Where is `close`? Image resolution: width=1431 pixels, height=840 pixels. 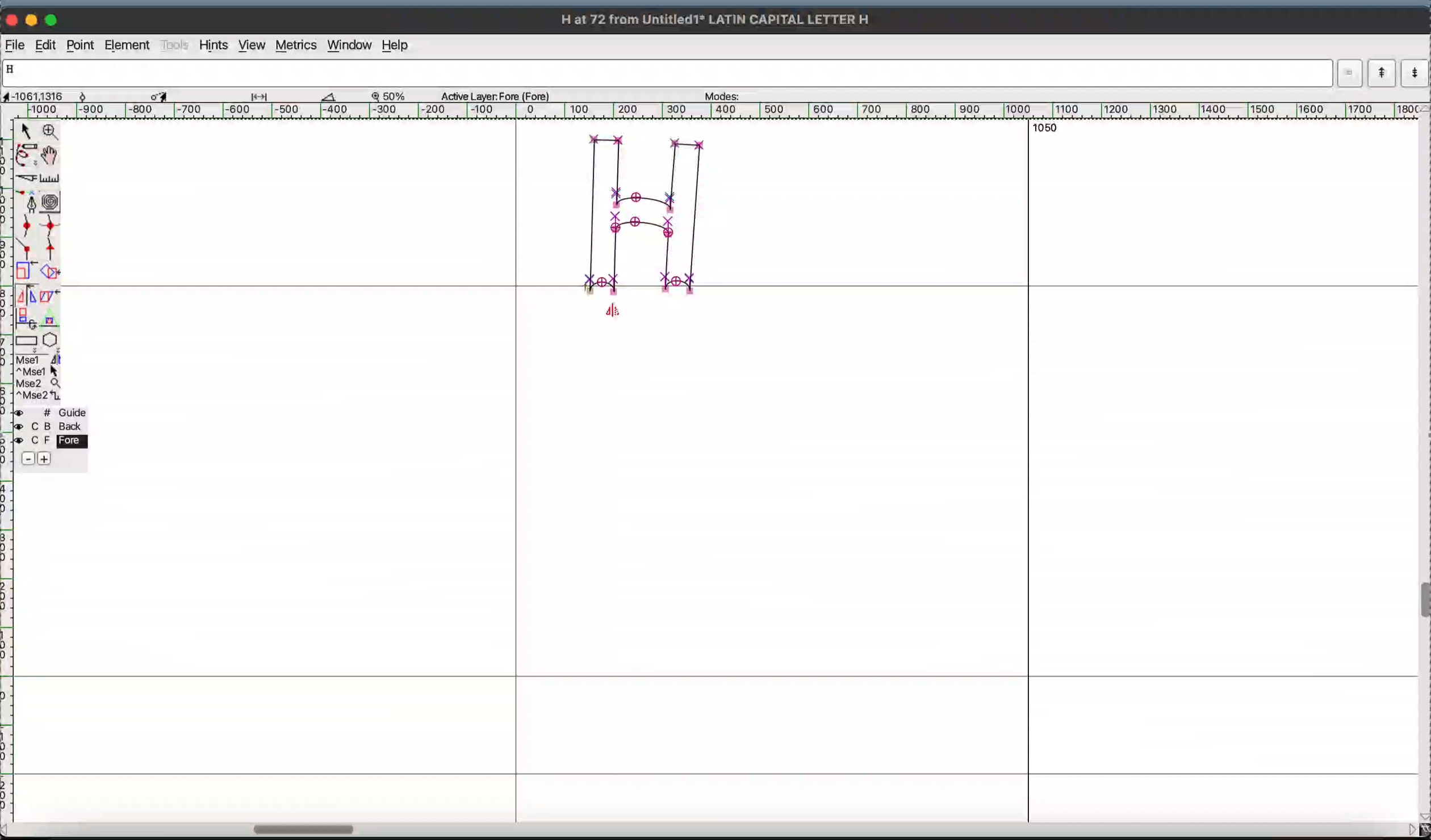
close is located at coordinates (12, 18).